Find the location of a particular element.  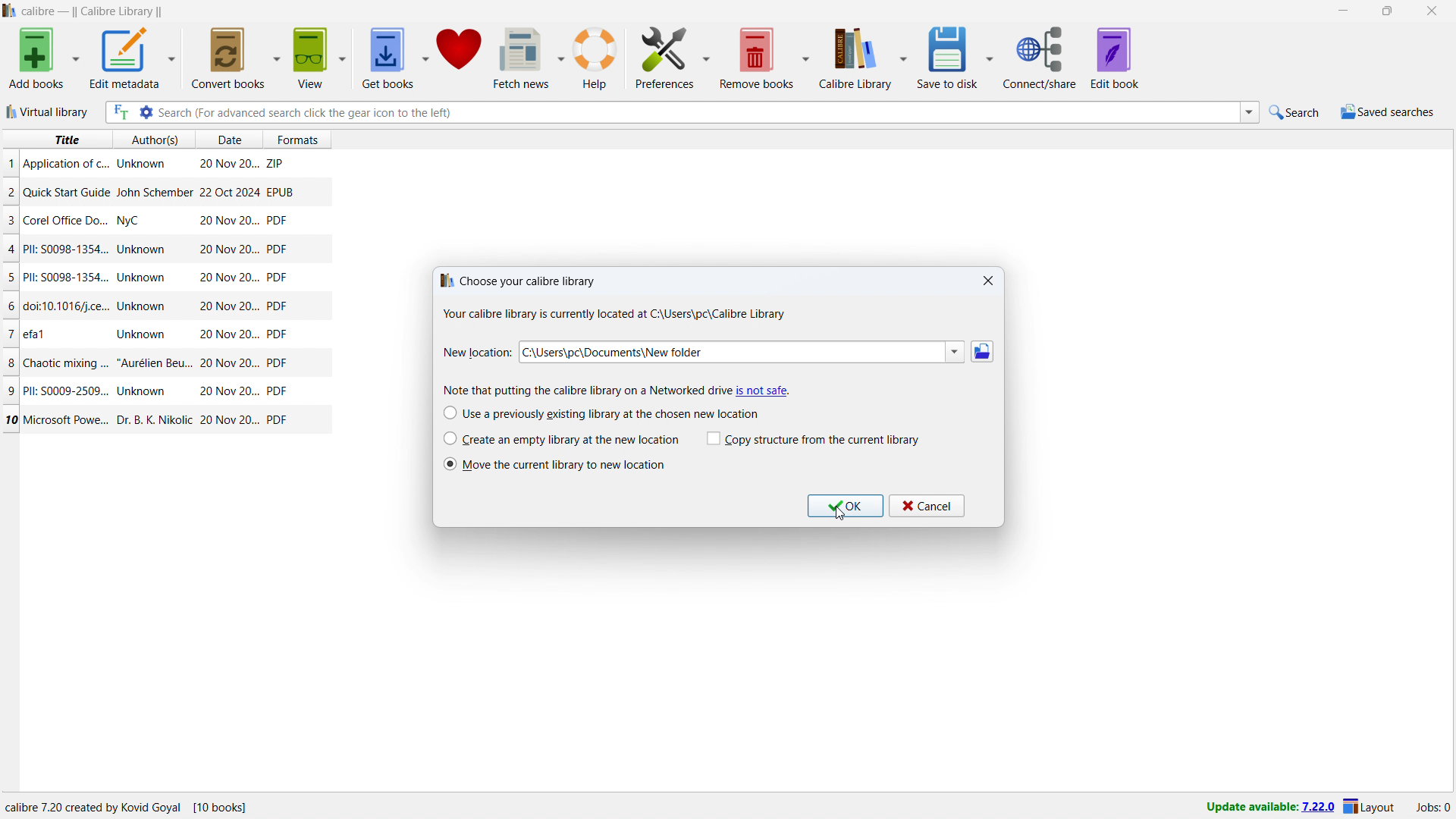

edit metadata is located at coordinates (123, 58).